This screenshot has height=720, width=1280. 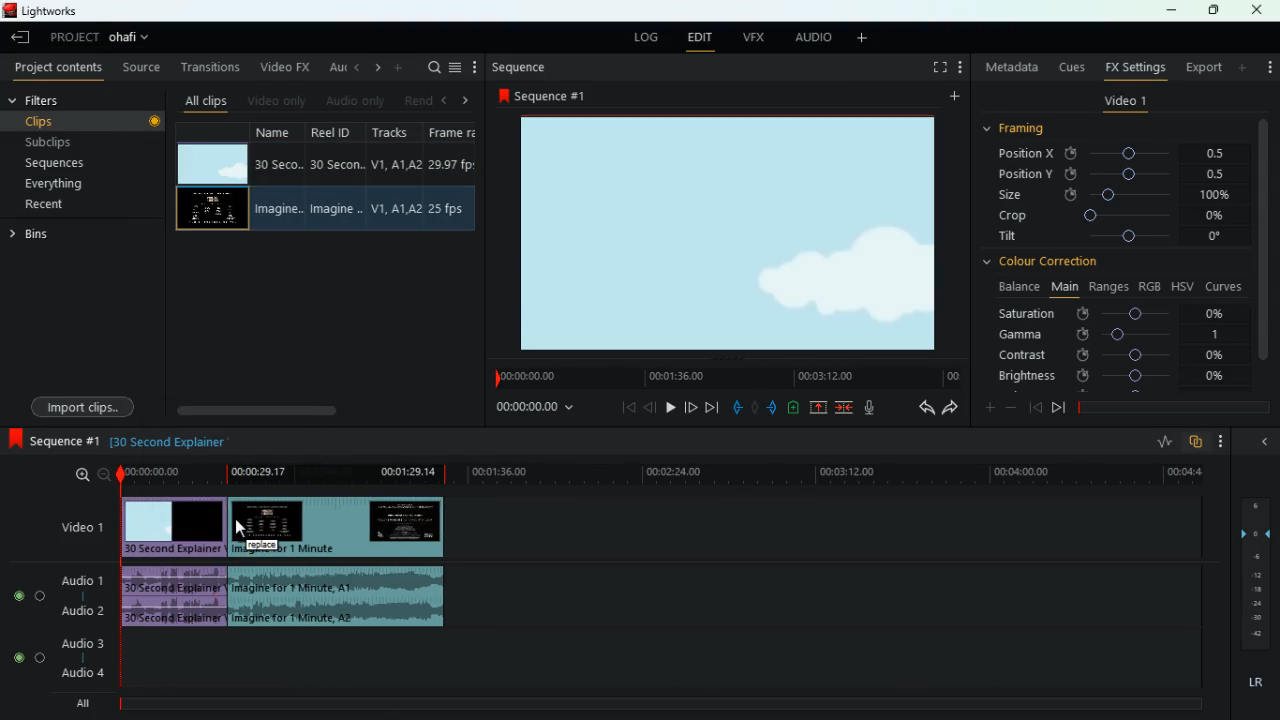 I want to click on menu, so click(x=455, y=67).